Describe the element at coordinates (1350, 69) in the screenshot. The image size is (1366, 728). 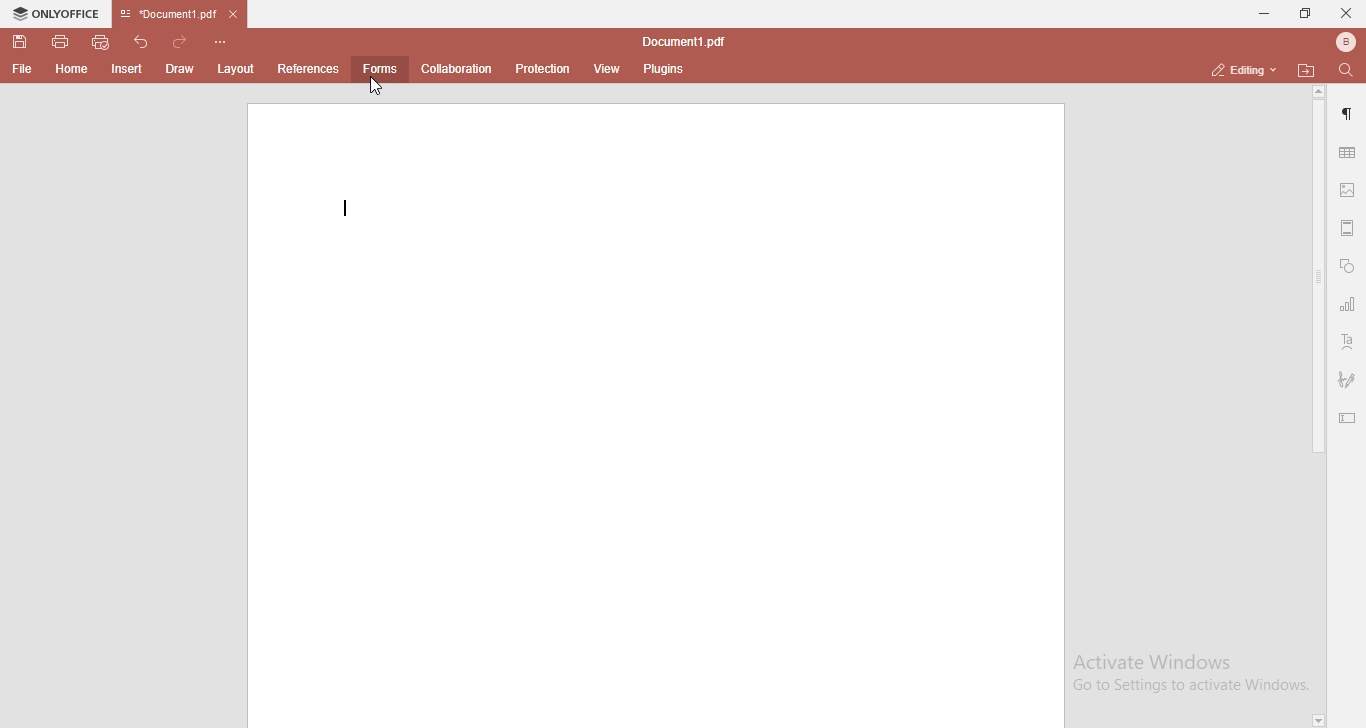
I see `find` at that location.